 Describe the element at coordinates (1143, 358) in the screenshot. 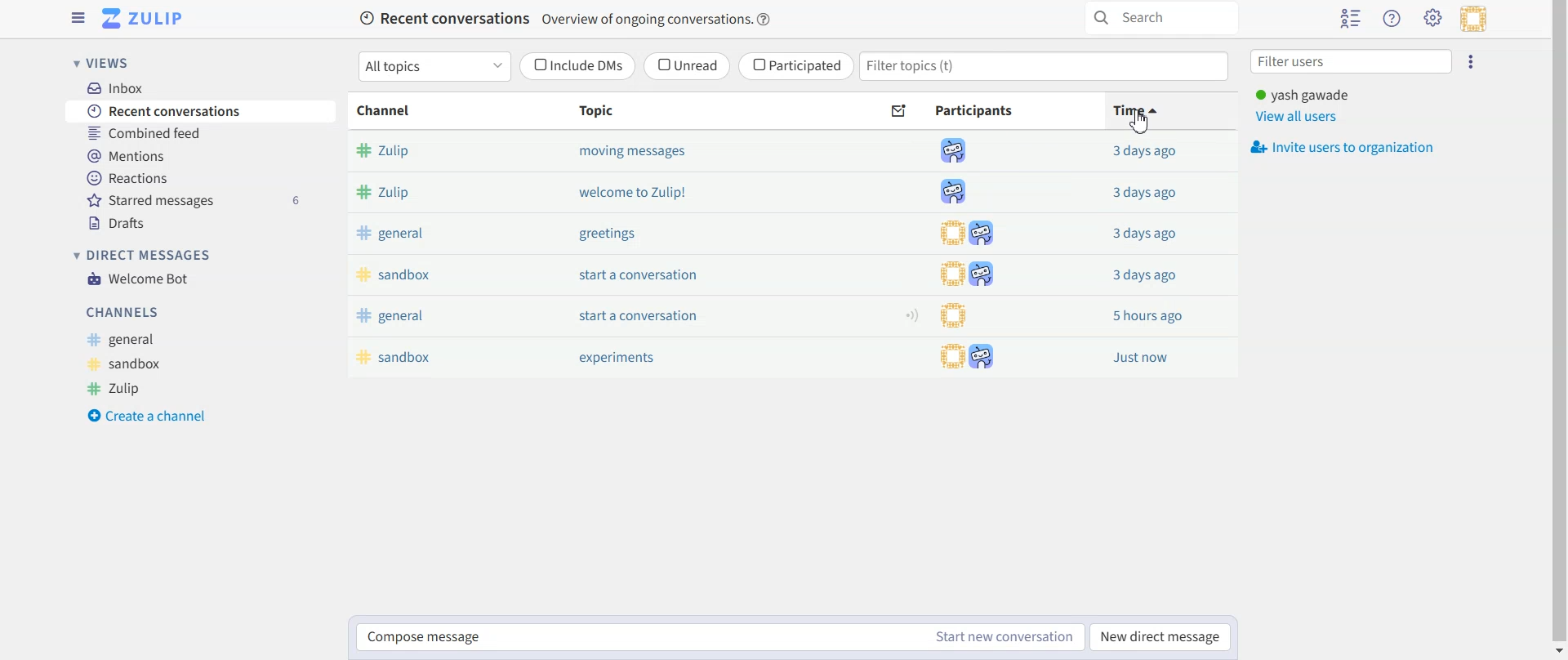

I see `Just now` at that location.